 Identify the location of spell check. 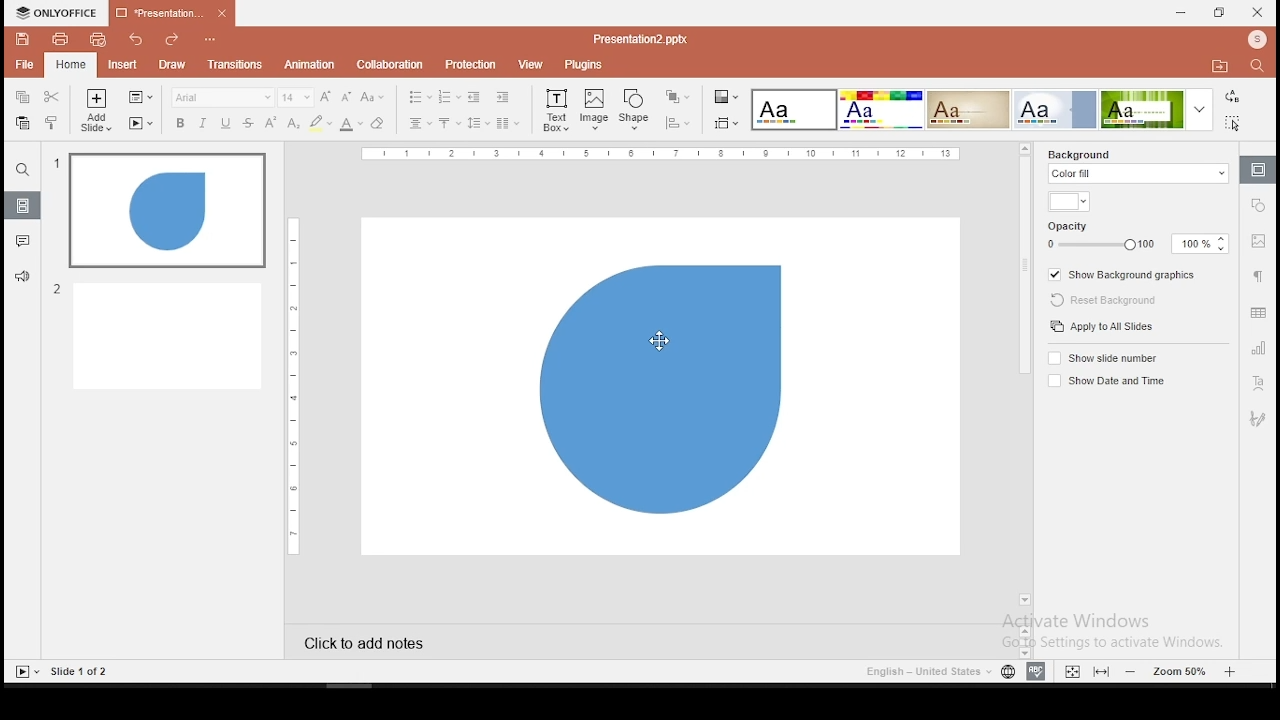
(1036, 672).